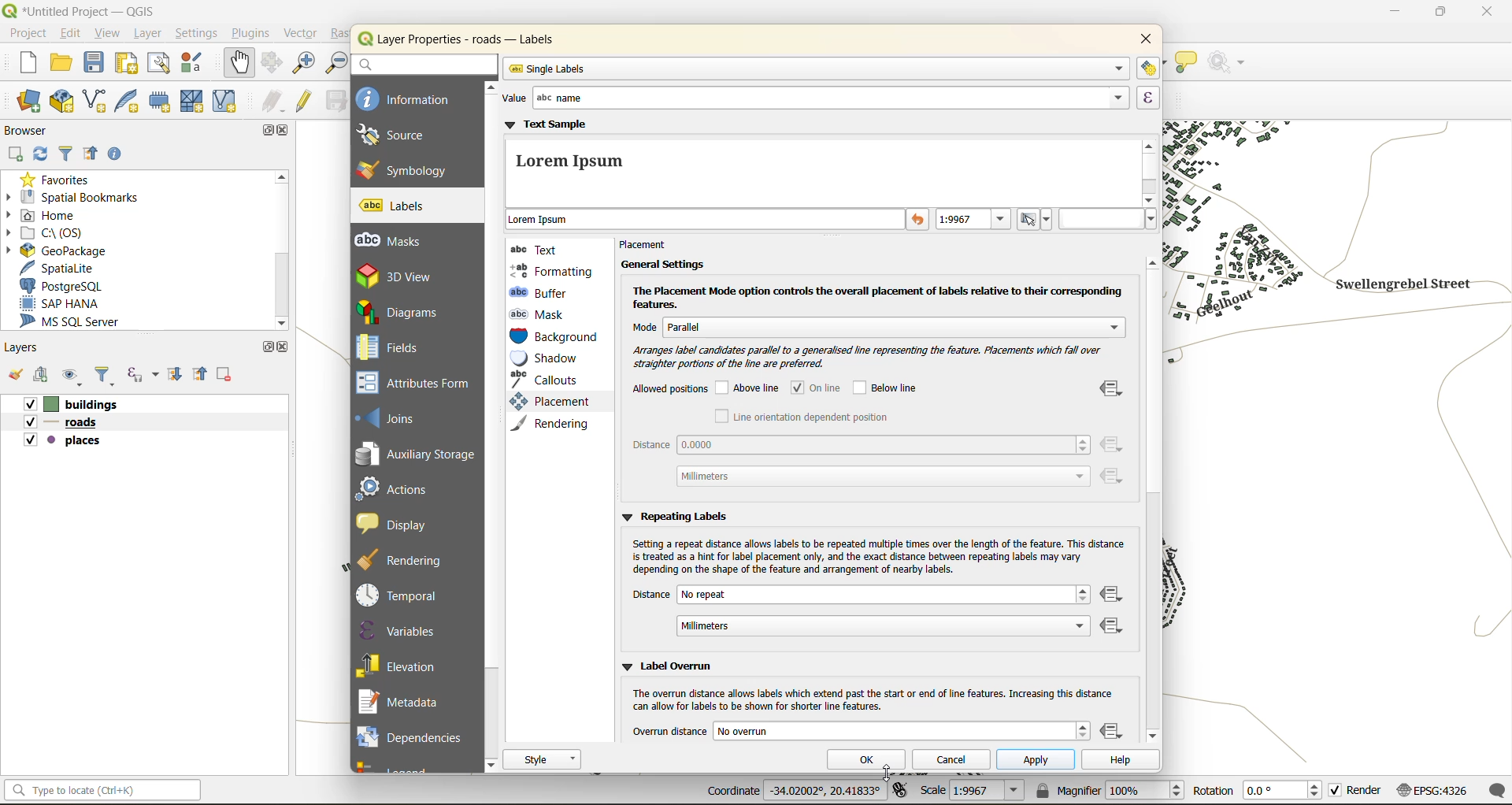 This screenshot has height=805, width=1512. Describe the element at coordinates (66, 105) in the screenshot. I see `new geopackage layer` at that location.